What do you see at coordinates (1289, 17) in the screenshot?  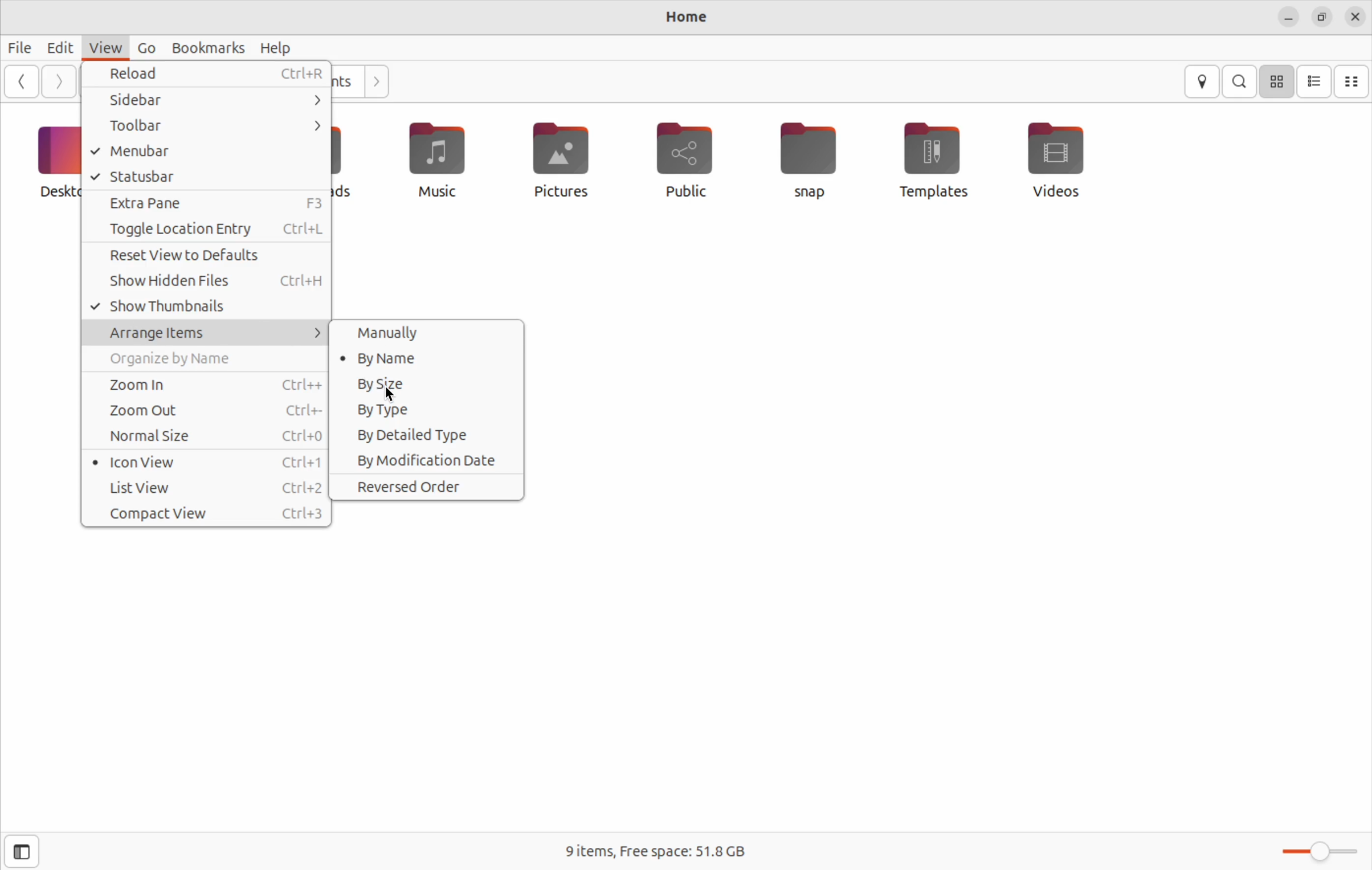 I see `minimze` at bounding box center [1289, 17].